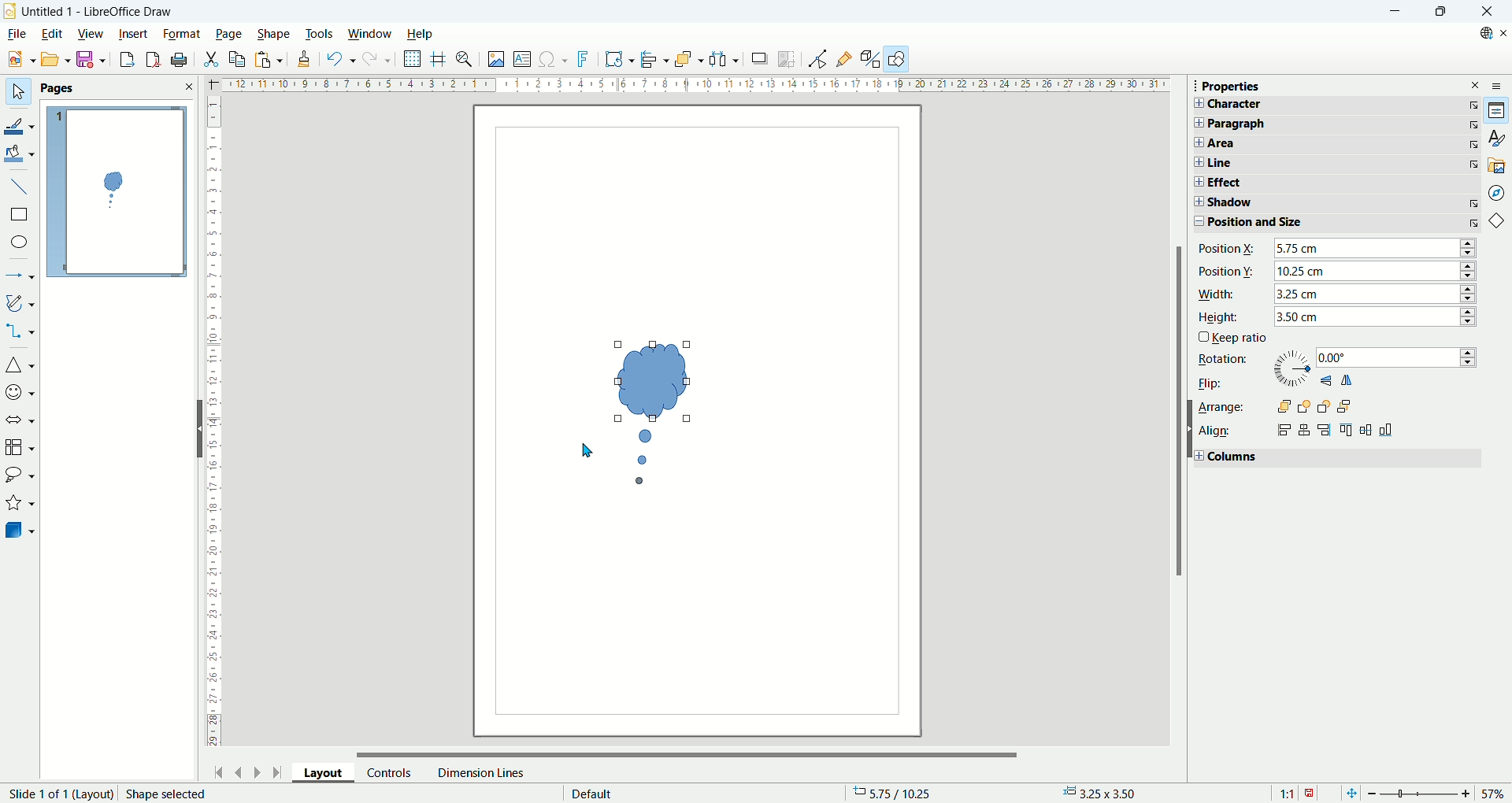  Describe the element at coordinates (413, 59) in the screenshot. I see `show grid` at that location.